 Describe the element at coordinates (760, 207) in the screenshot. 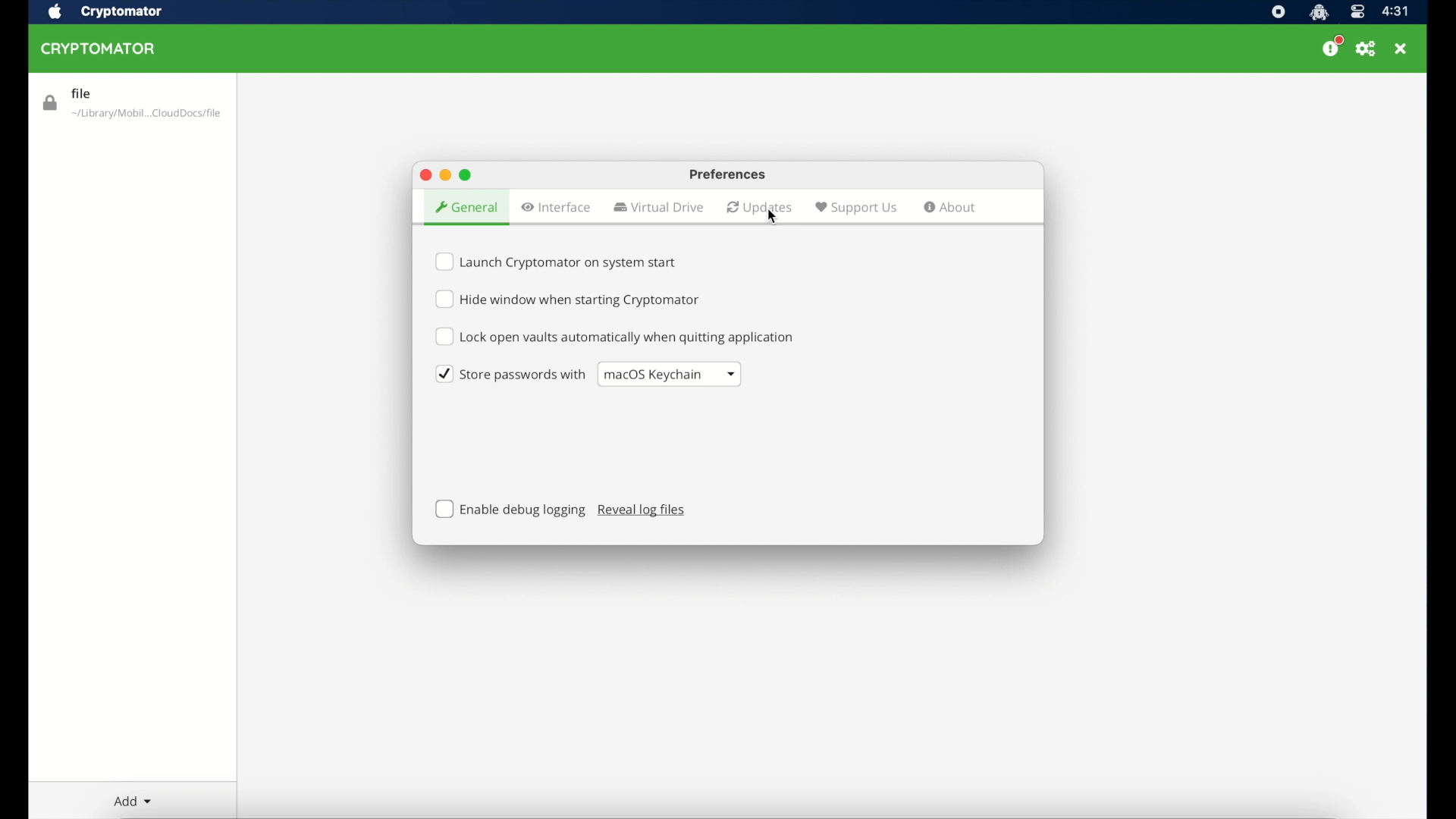

I see `updates` at that location.